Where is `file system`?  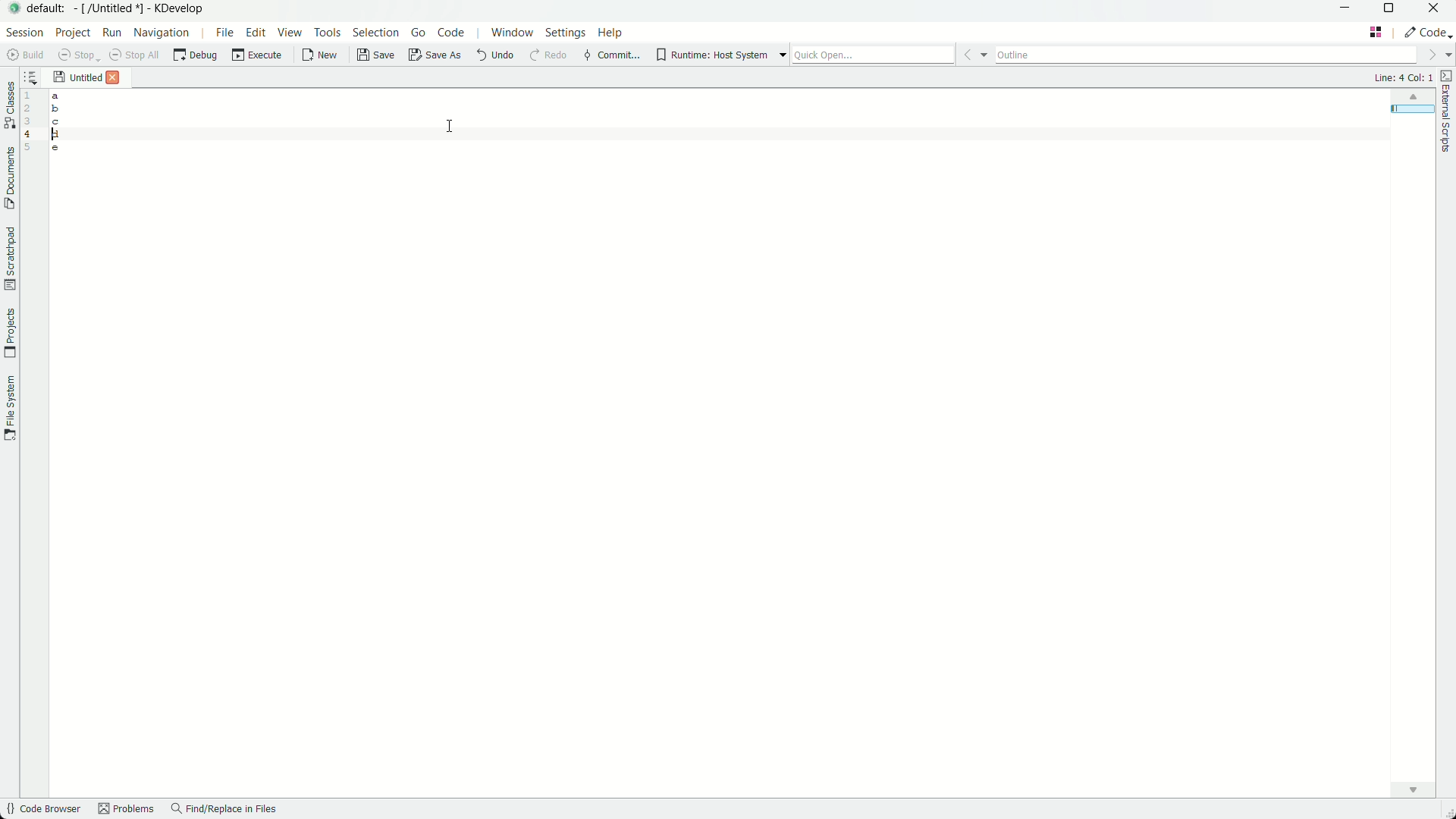
file system is located at coordinates (10, 411).